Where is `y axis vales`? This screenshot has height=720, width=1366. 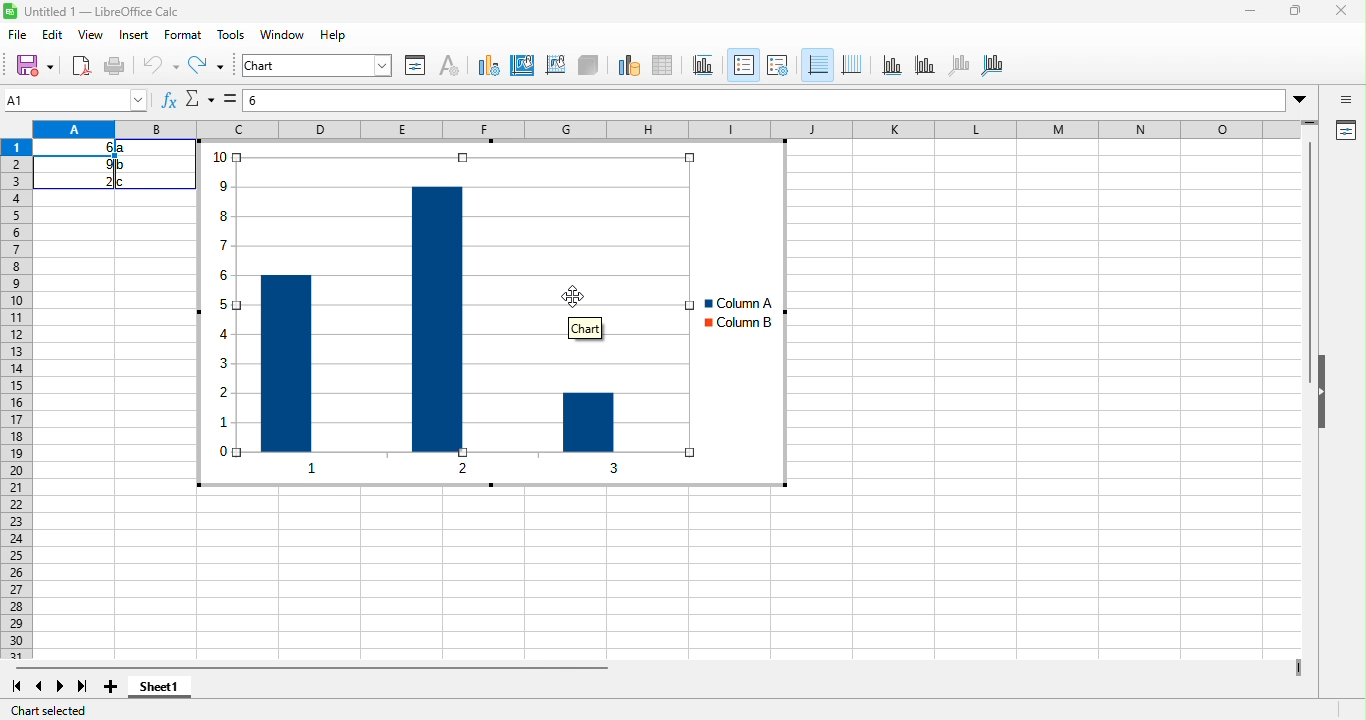
y axis vales is located at coordinates (223, 321).